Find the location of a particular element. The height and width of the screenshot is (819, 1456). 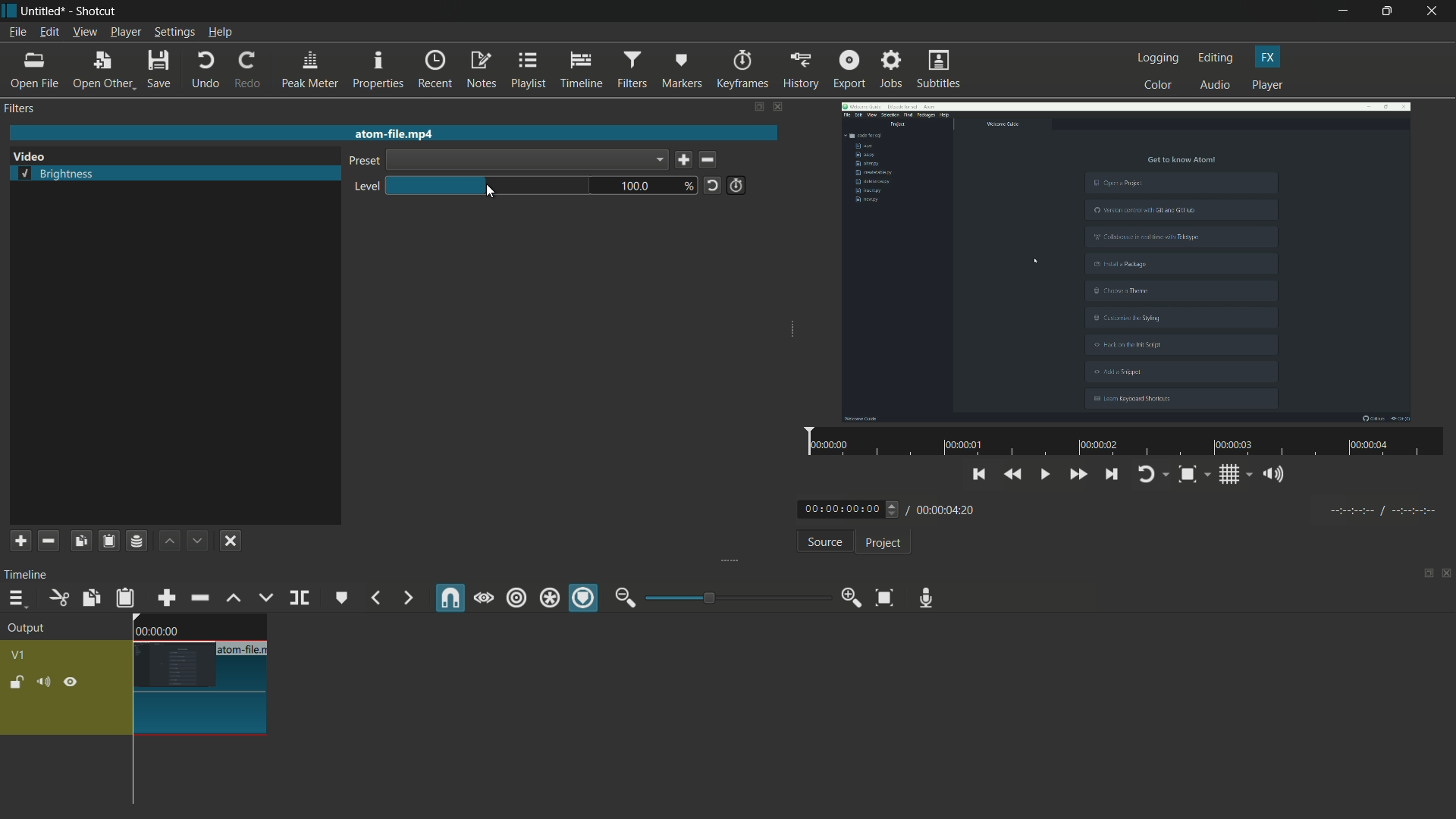

atom-file.mp4 is located at coordinates (393, 133).